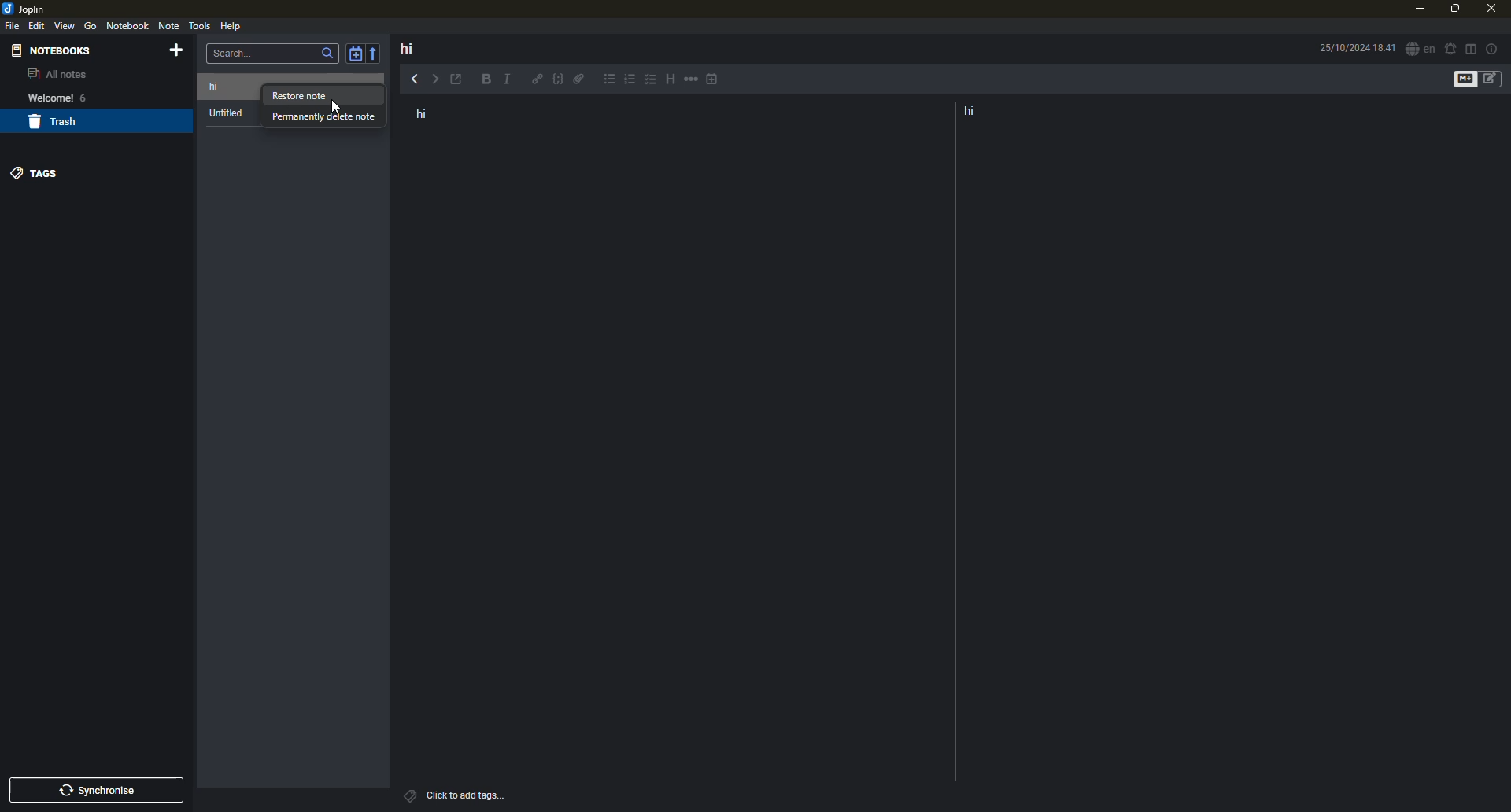  Describe the element at coordinates (13, 26) in the screenshot. I see `file` at that location.